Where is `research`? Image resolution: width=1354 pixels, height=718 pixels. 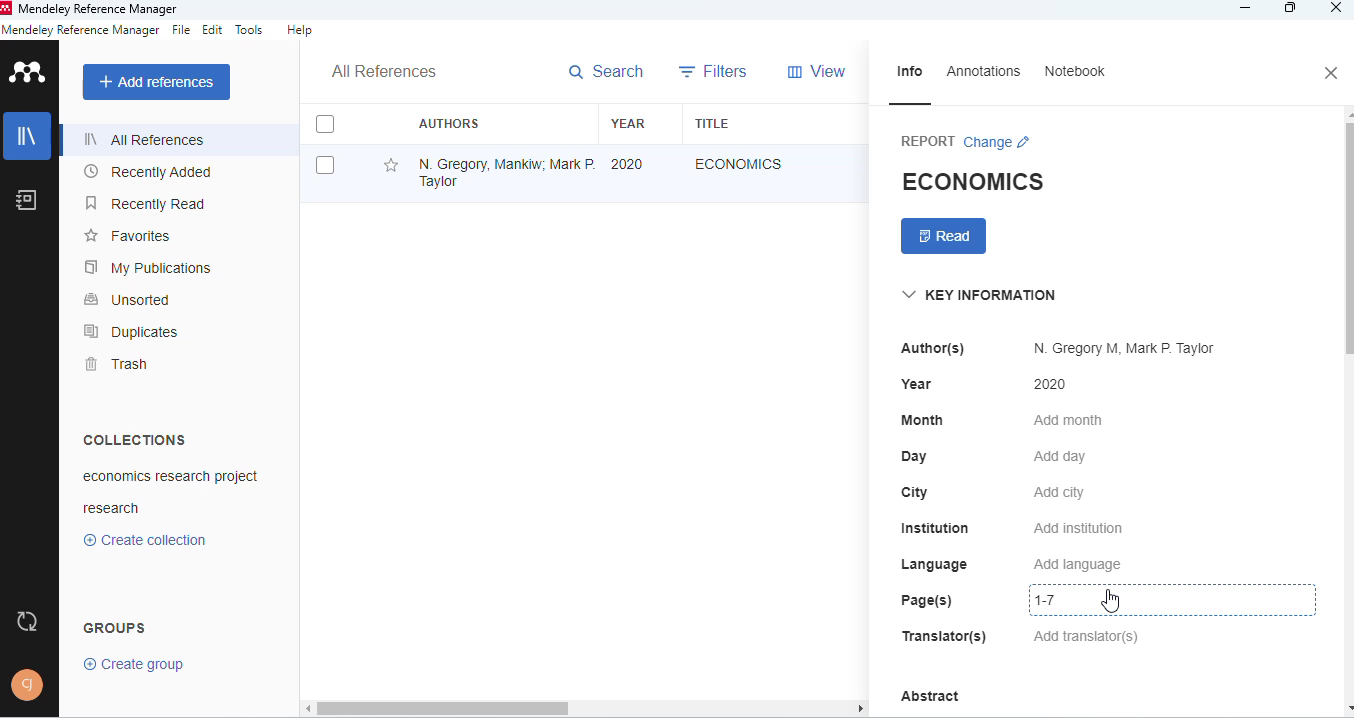
research is located at coordinates (111, 507).